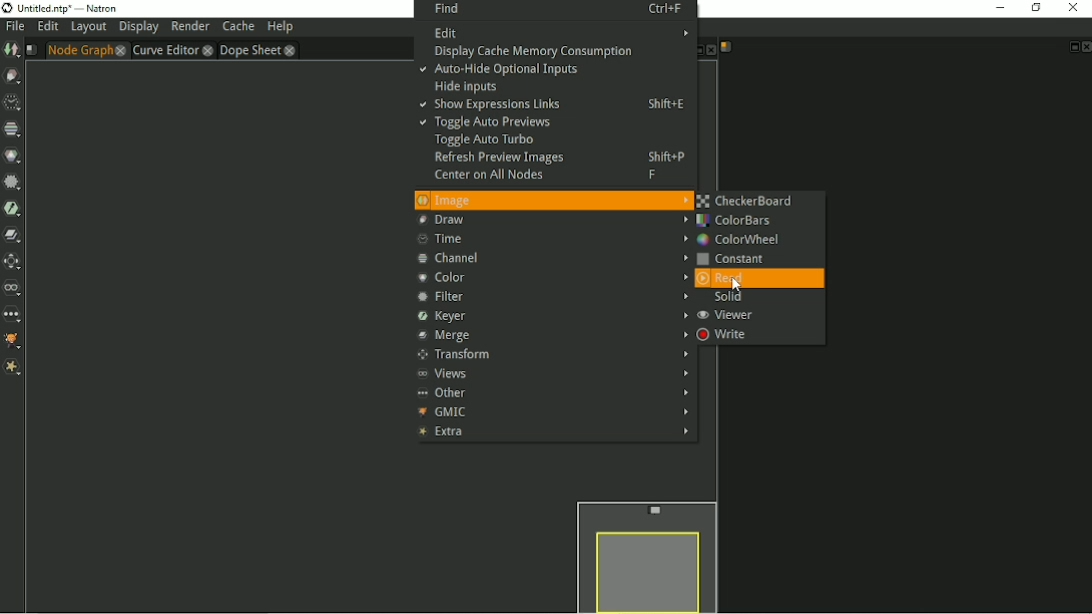  I want to click on Script name, so click(31, 50).